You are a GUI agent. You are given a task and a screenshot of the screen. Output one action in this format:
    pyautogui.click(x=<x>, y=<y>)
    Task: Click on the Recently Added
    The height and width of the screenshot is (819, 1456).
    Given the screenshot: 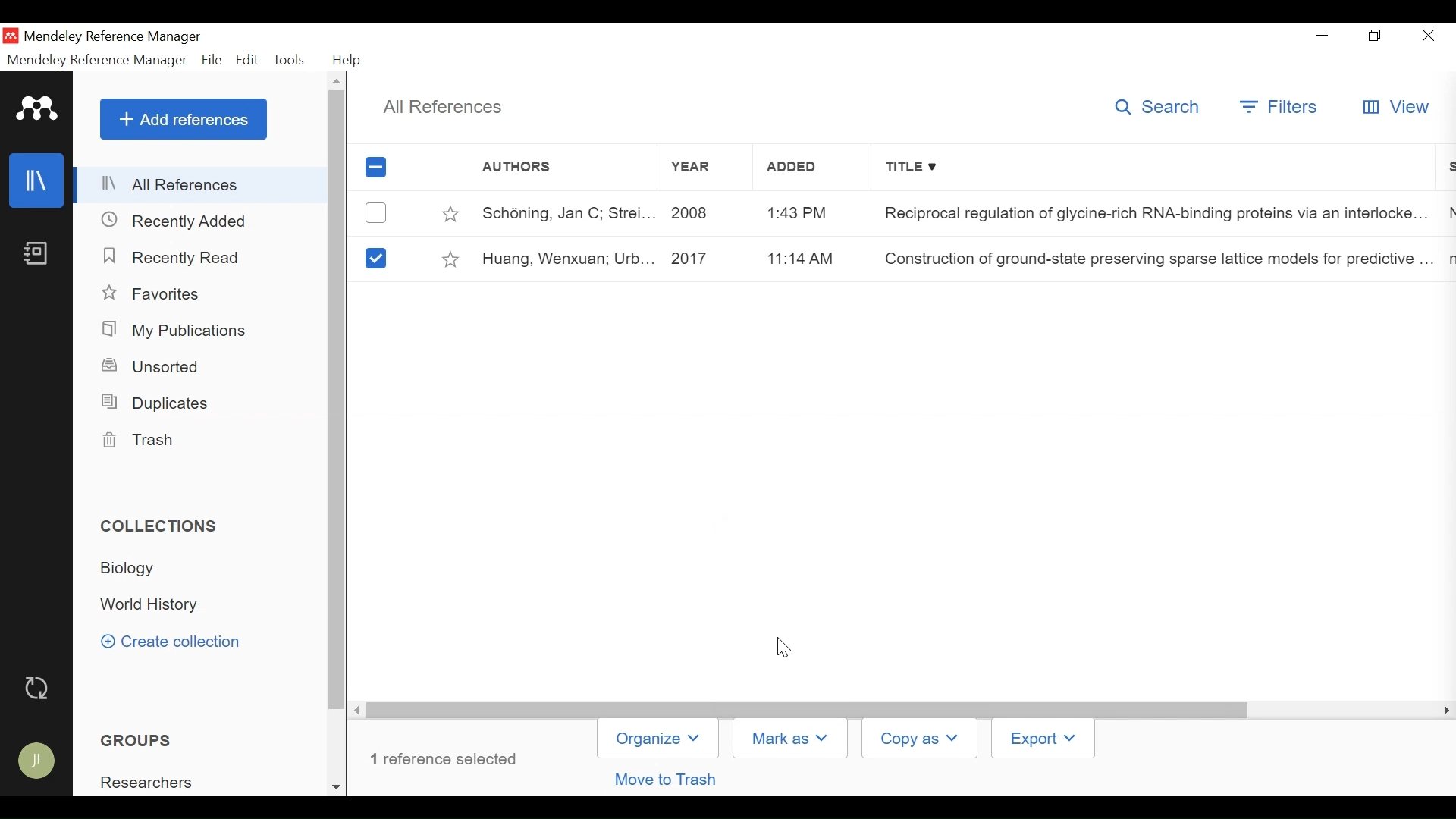 What is the action you would take?
    pyautogui.click(x=183, y=221)
    